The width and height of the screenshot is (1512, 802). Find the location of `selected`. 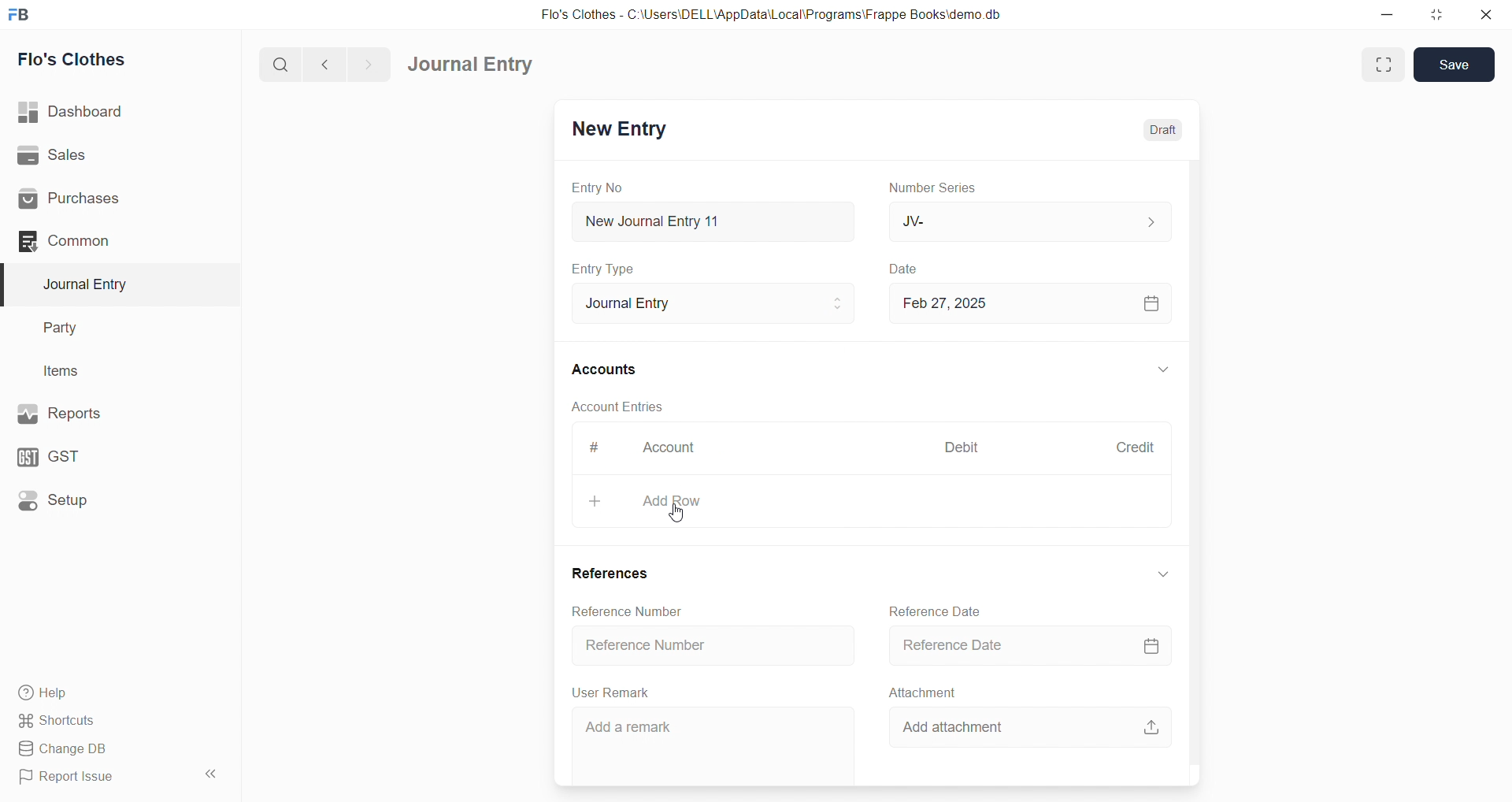

selected is located at coordinates (9, 284).